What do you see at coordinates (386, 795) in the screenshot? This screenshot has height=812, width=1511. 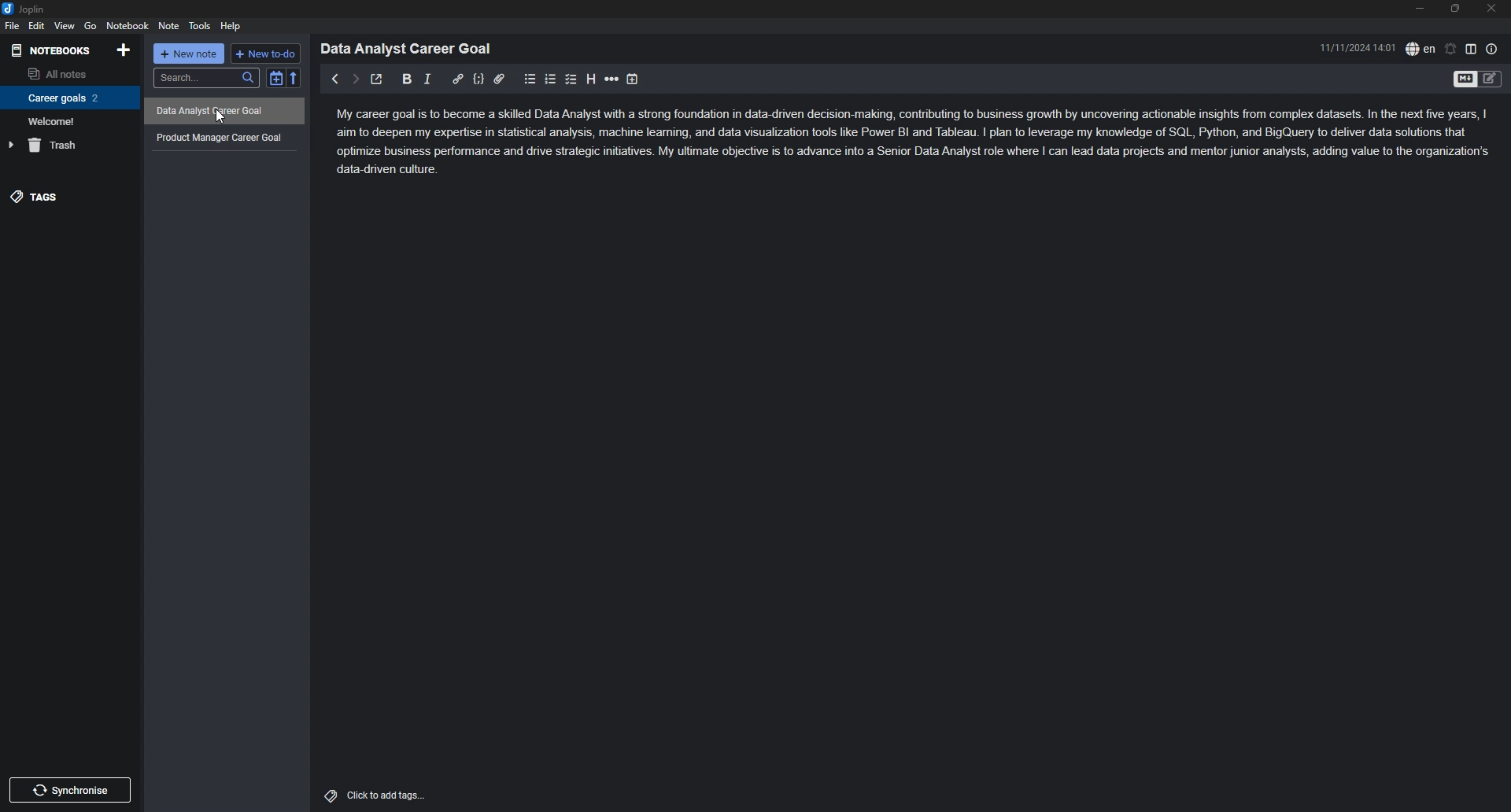 I see `Click to add tags...` at bounding box center [386, 795].